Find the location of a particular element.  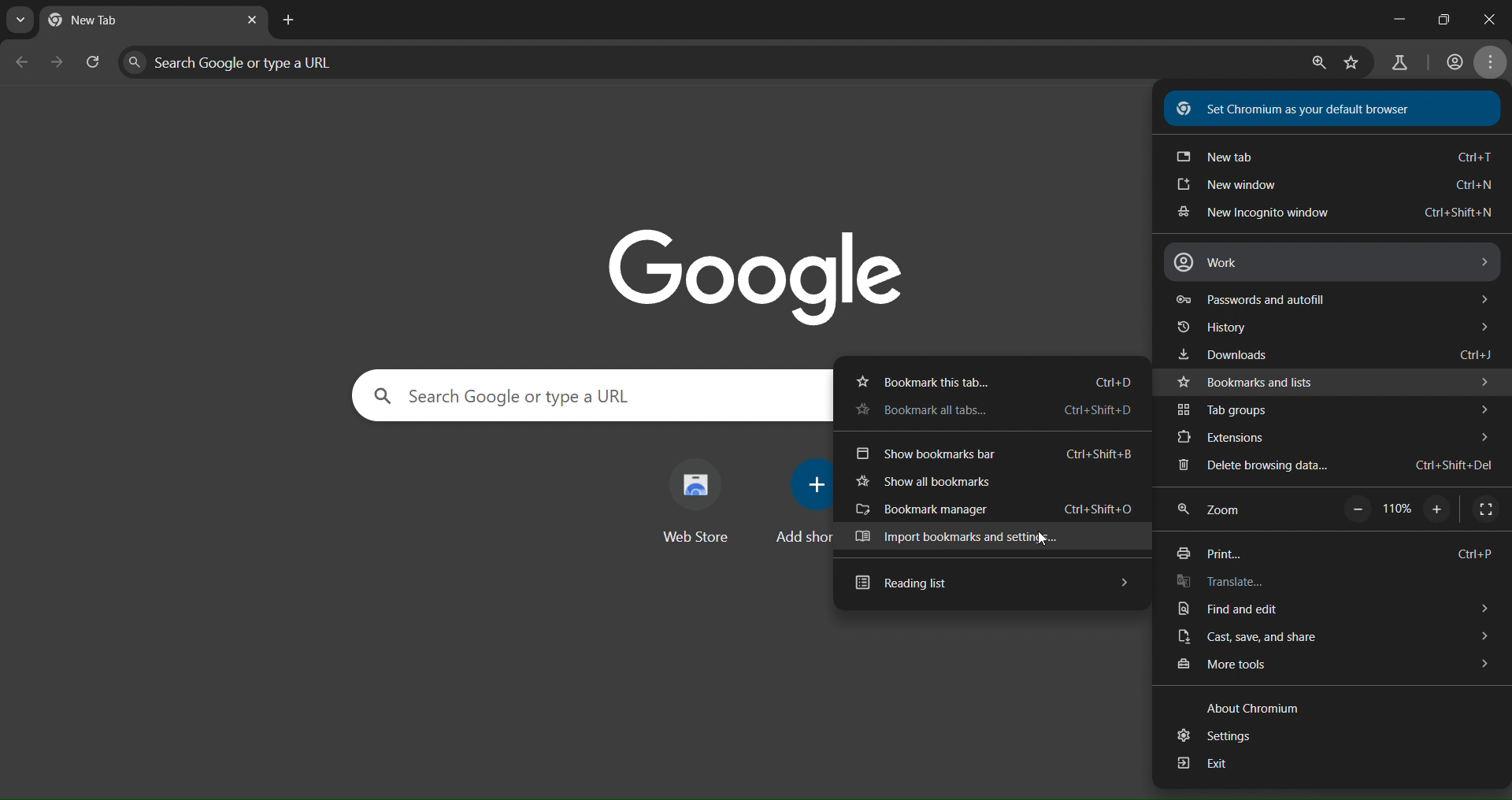

bookmark this tab is located at coordinates (992, 380).